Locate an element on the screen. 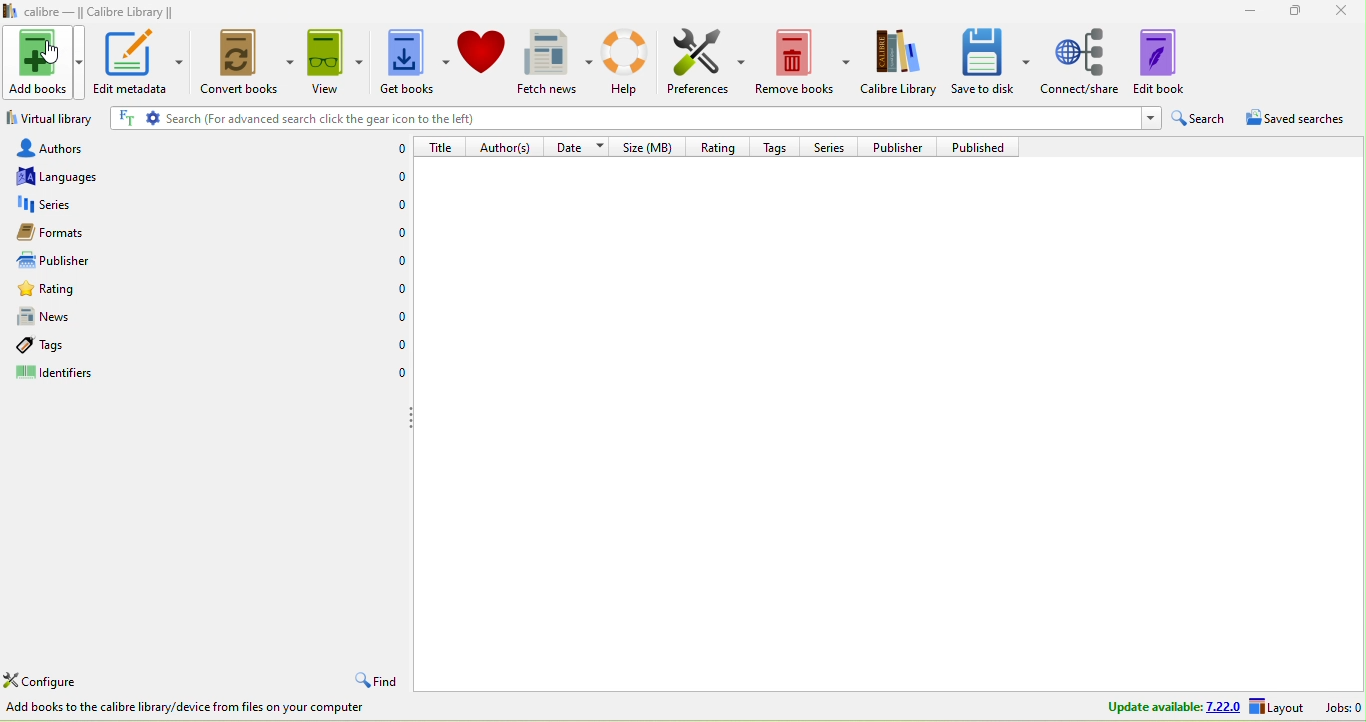 This screenshot has height=722, width=1366. update available 7.22.0 is located at coordinates (1171, 707).